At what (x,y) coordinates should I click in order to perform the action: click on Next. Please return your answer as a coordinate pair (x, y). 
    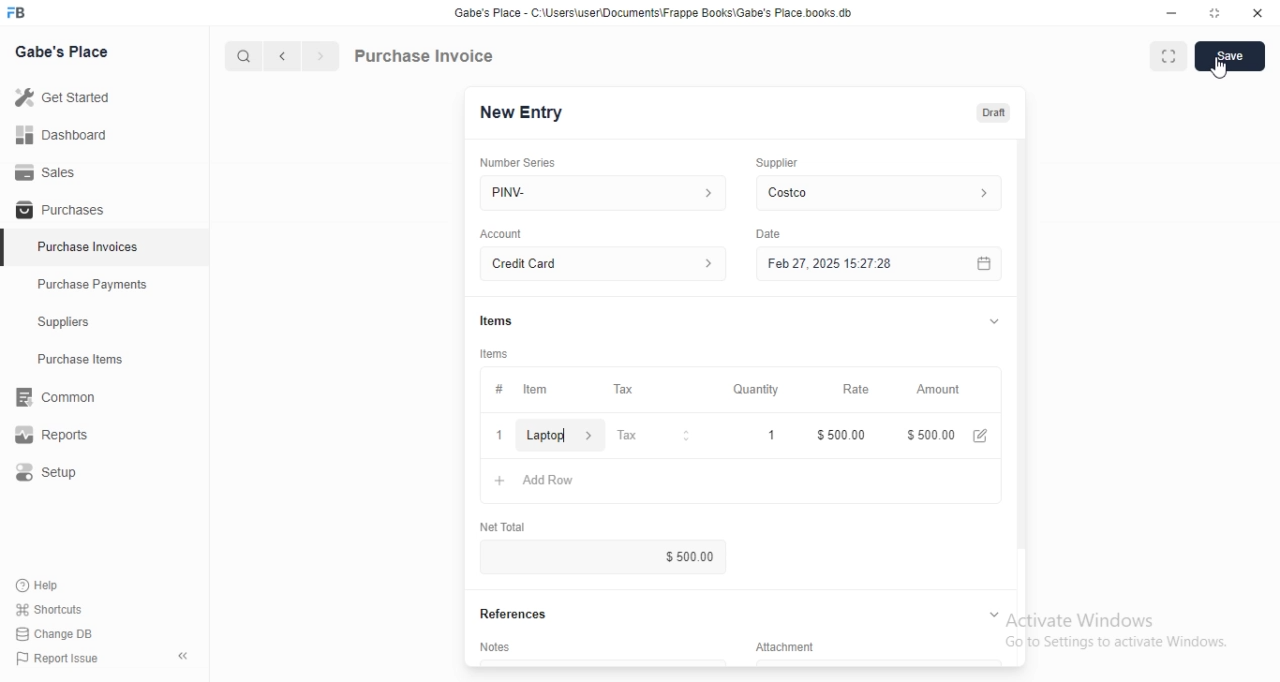
    Looking at the image, I should click on (322, 56).